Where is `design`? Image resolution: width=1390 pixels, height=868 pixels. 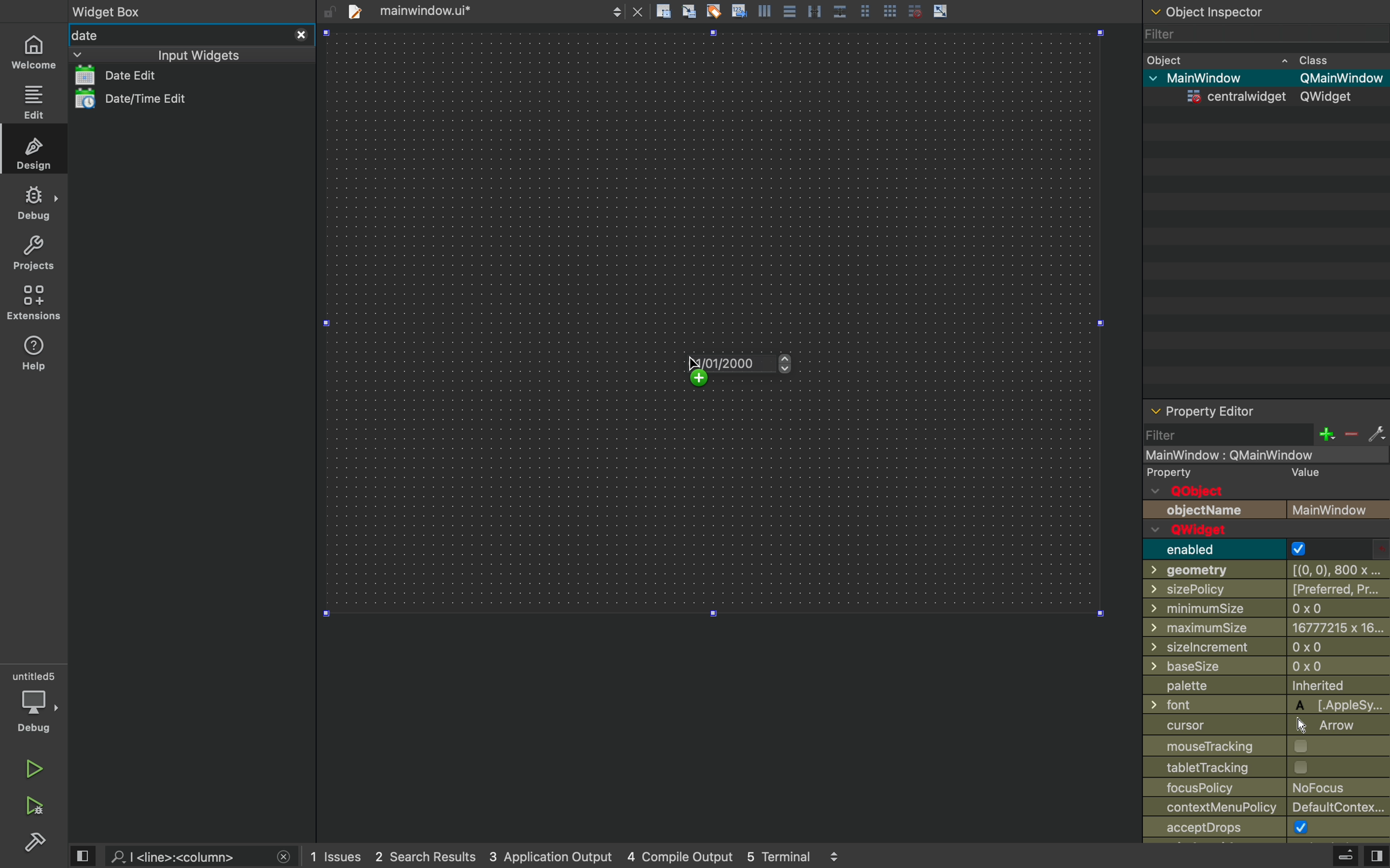 design is located at coordinates (32, 150).